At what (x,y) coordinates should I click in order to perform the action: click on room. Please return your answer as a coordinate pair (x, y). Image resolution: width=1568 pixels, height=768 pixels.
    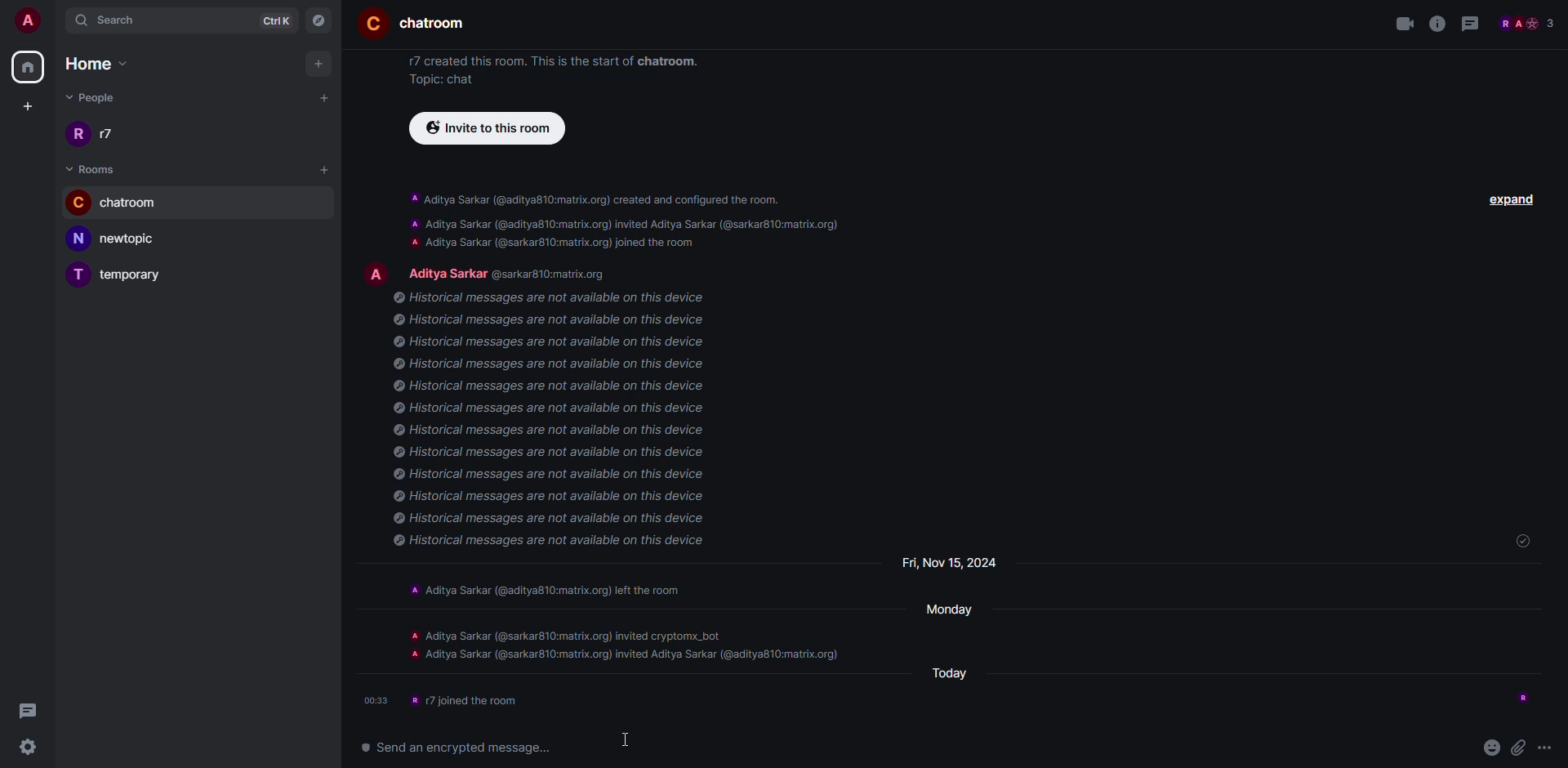
    Looking at the image, I should click on (96, 167).